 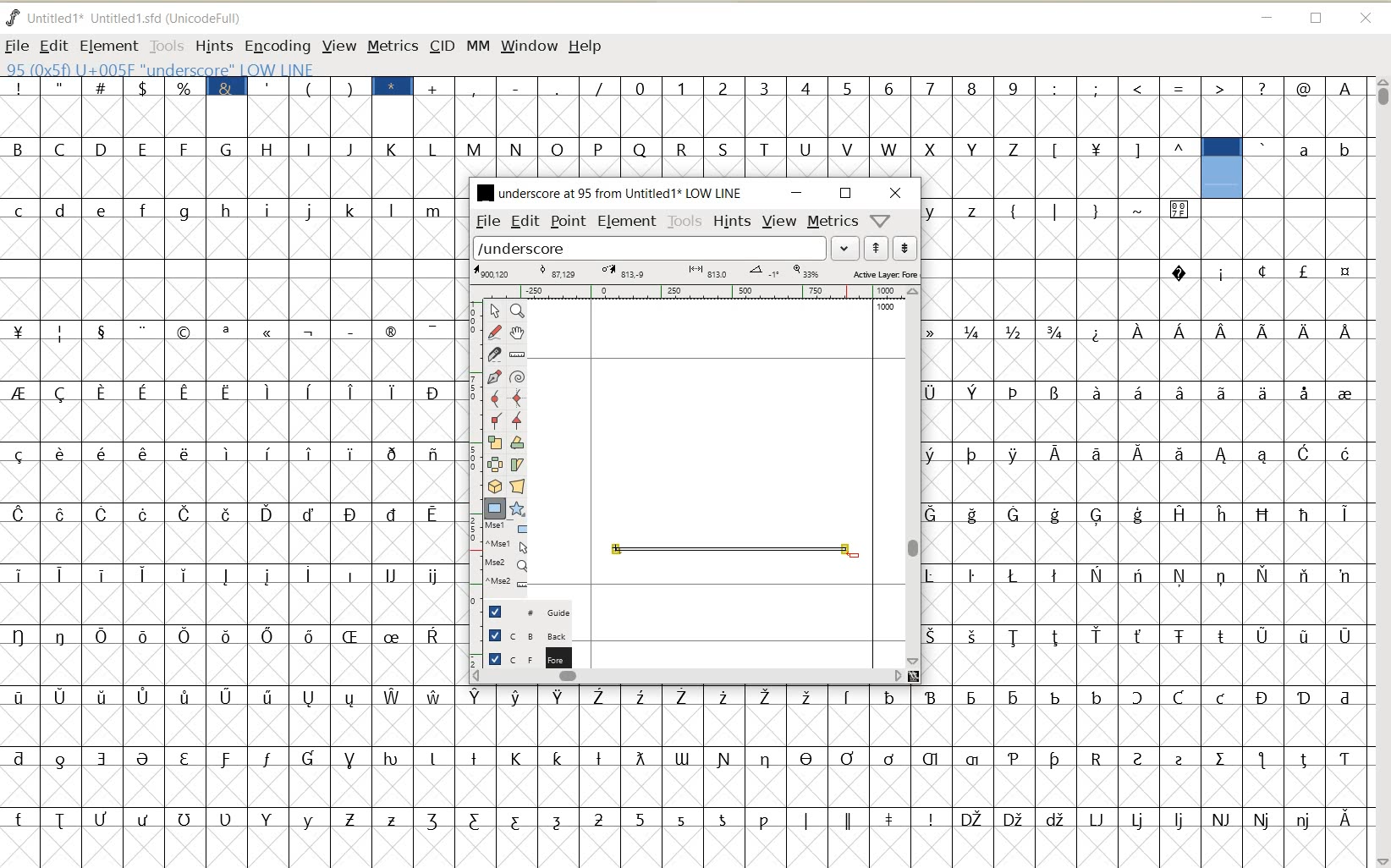 What do you see at coordinates (690, 292) in the screenshot?
I see `RULER` at bounding box center [690, 292].